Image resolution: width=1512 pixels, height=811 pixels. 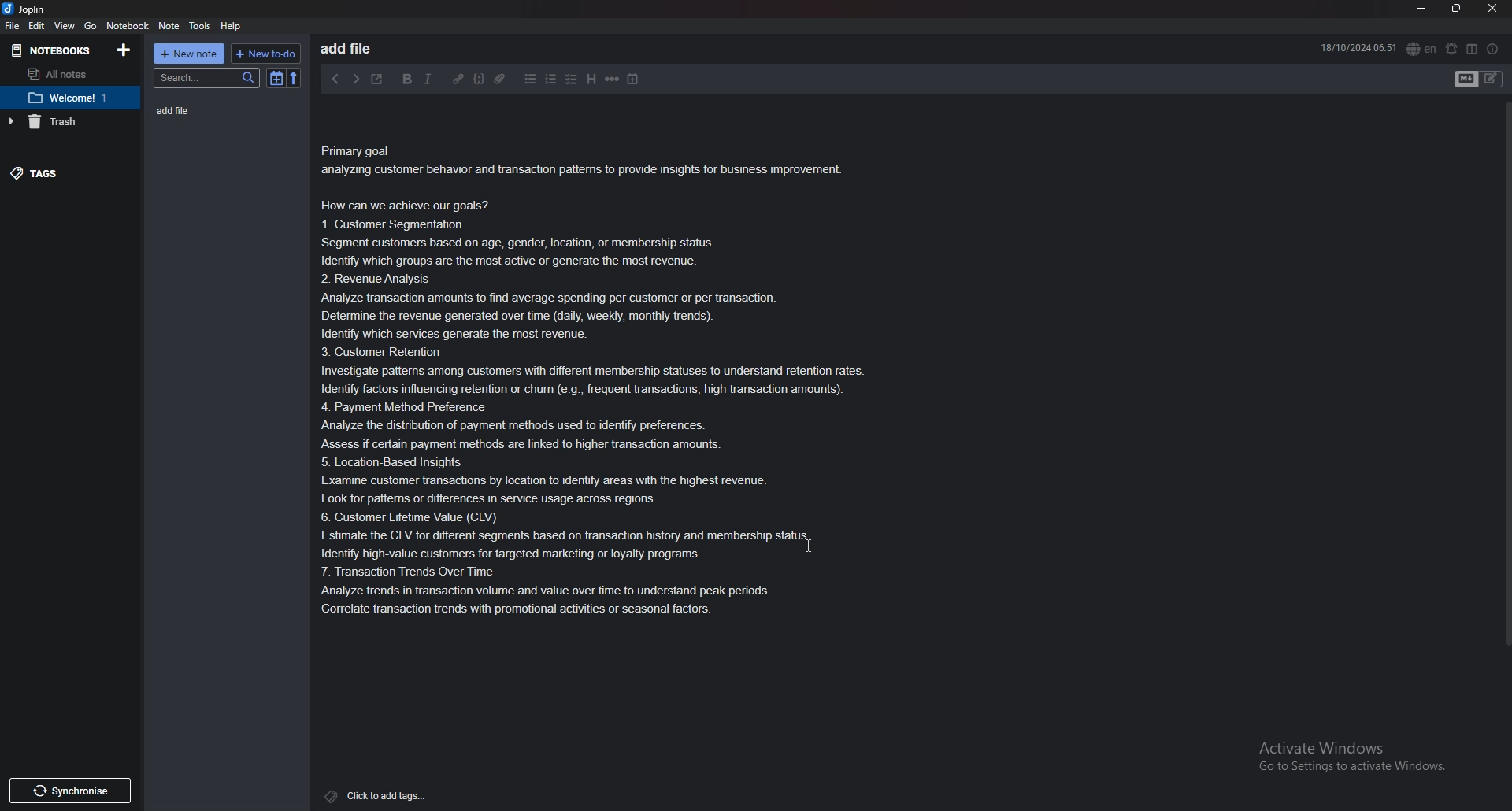 I want to click on Bullet list, so click(x=532, y=80).